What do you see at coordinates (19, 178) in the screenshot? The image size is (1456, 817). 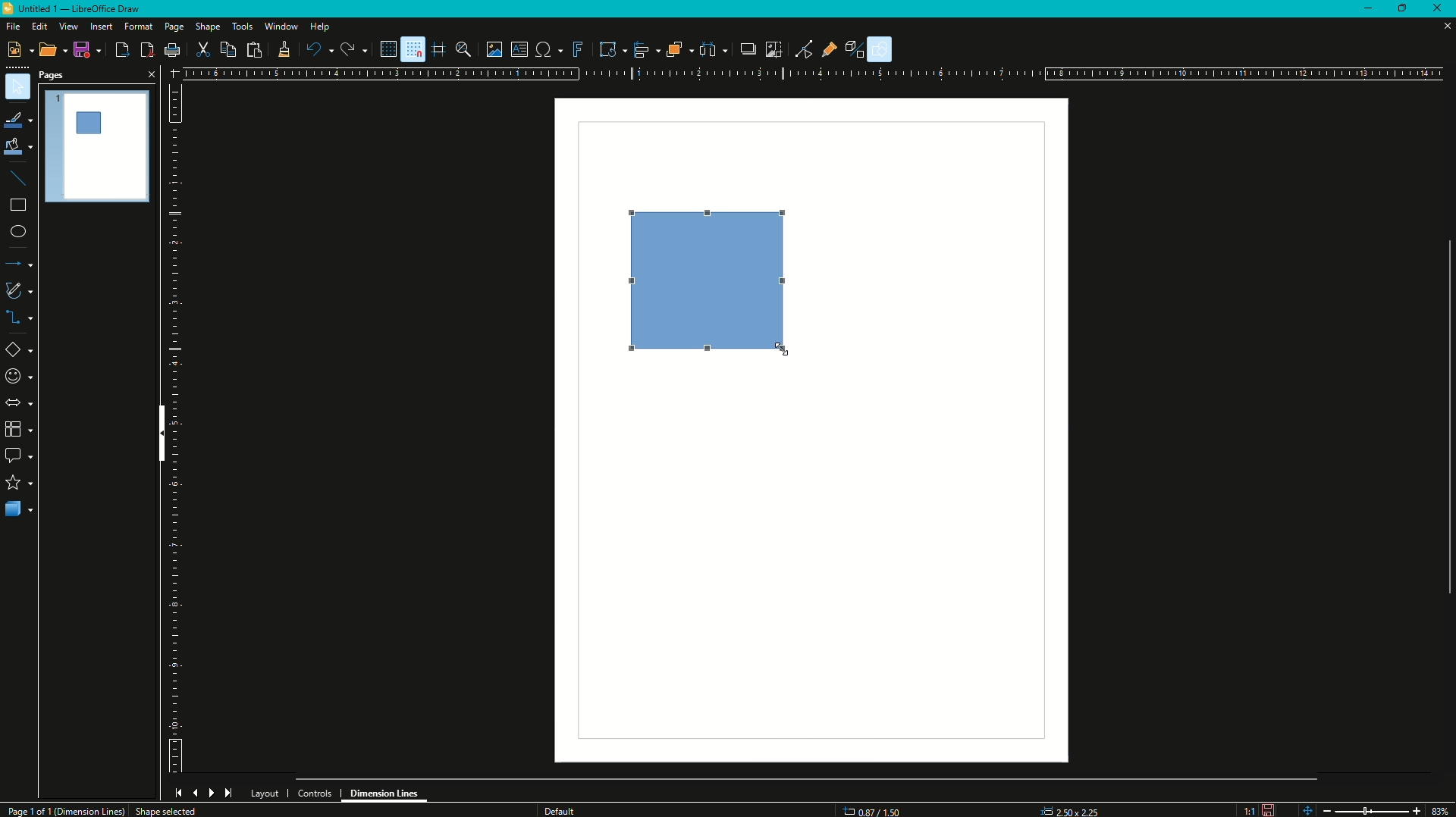 I see `Lines` at bounding box center [19, 178].